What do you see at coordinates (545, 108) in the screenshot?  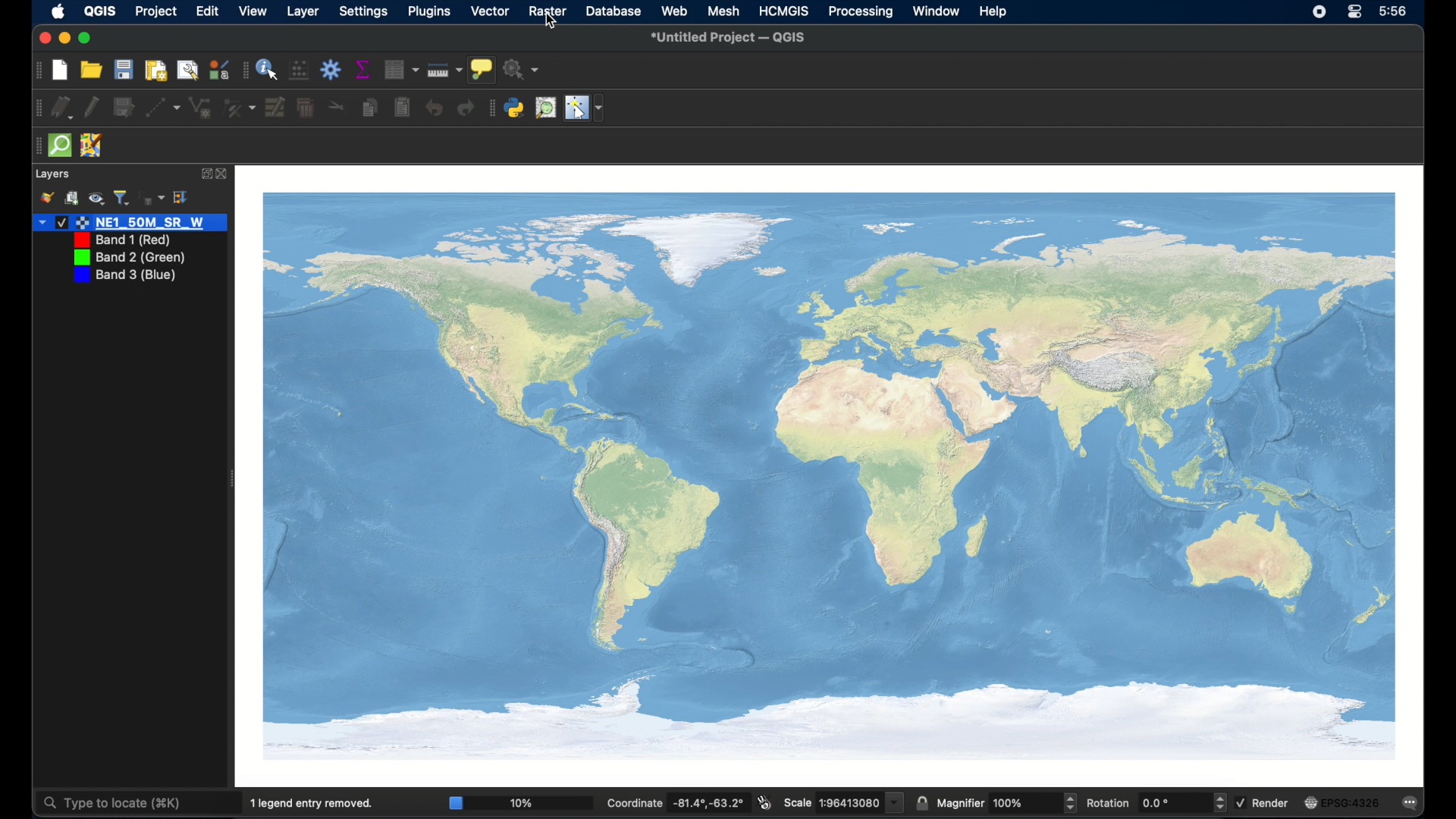 I see `osm place search` at bounding box center [545, 108].